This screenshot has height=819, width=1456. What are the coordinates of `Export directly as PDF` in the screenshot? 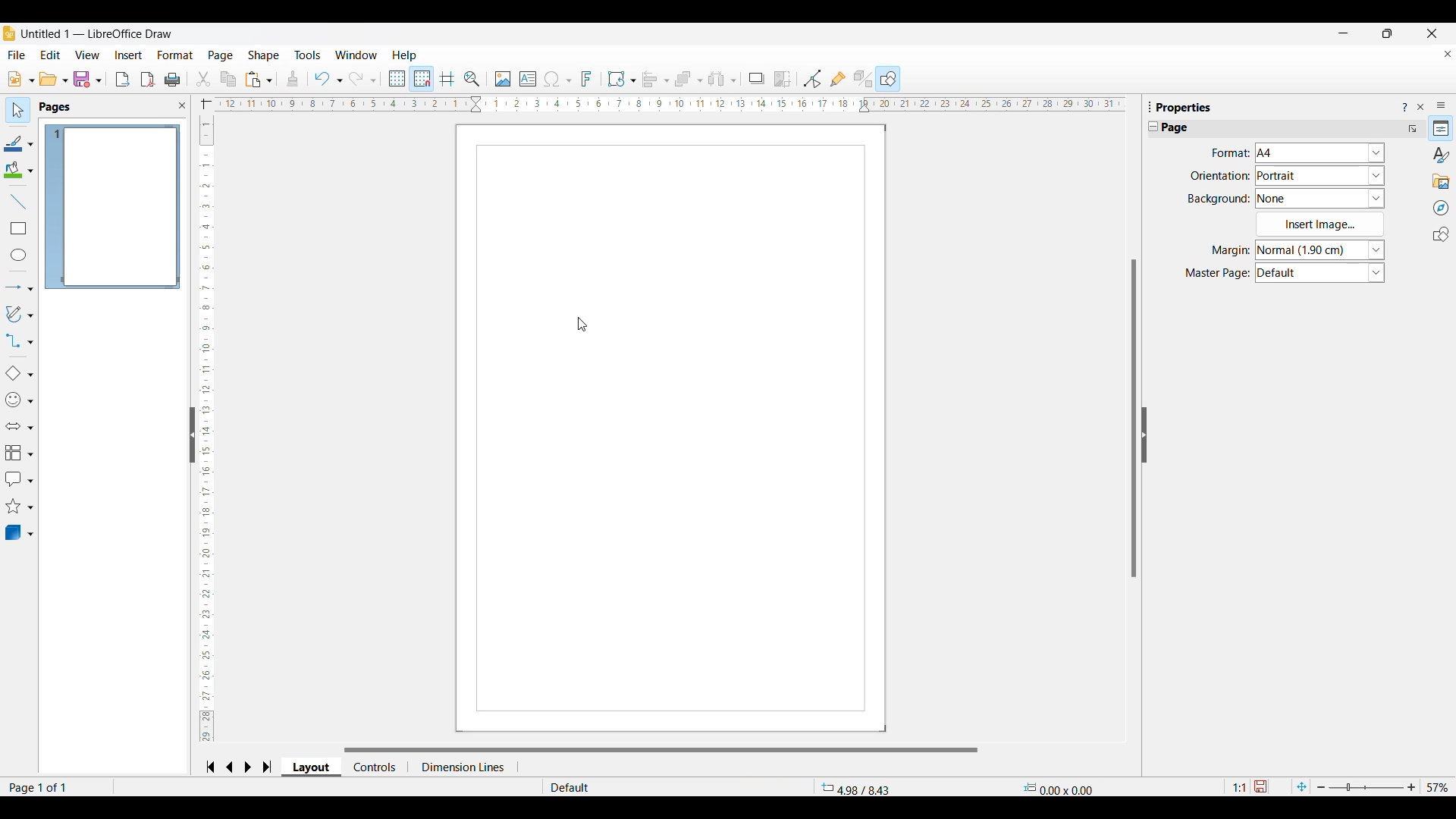 It's located at (148, 80).